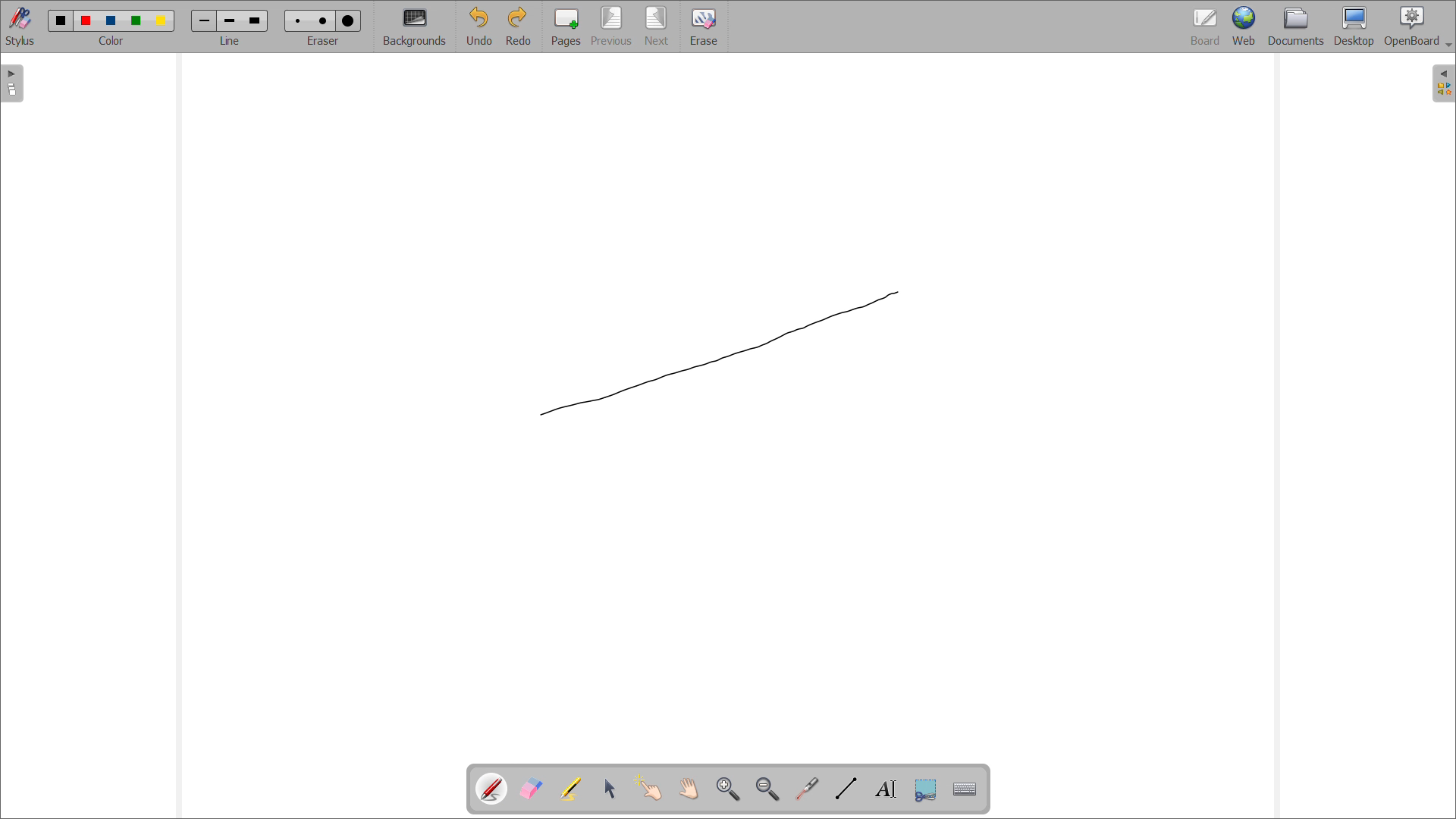  I want to click on line width size, so click(231, 22).